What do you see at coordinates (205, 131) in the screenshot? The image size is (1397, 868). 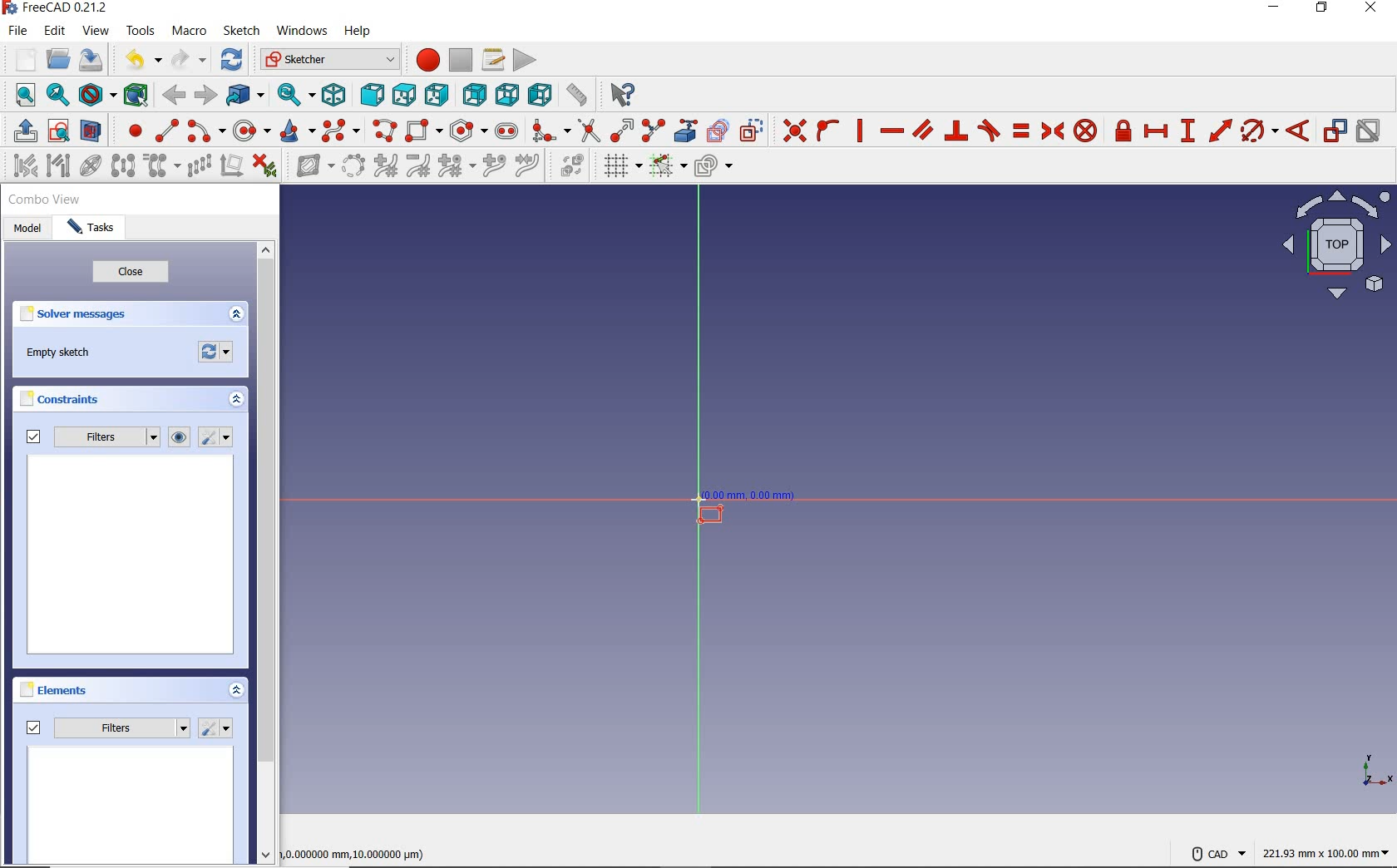 I see `create arc` at bounding box center [205, 131].